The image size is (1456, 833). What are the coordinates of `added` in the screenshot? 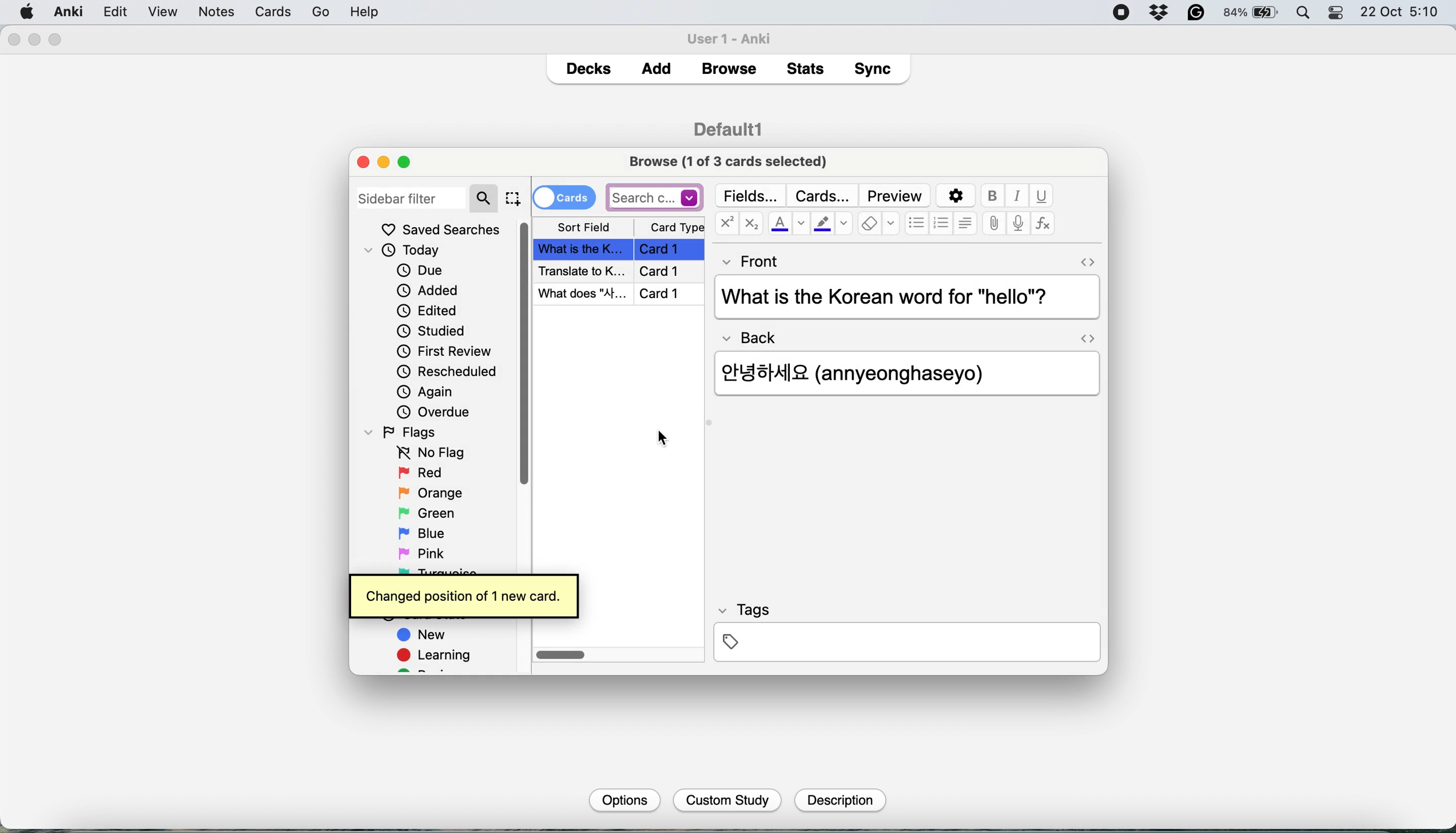 It's located at (429, 289).